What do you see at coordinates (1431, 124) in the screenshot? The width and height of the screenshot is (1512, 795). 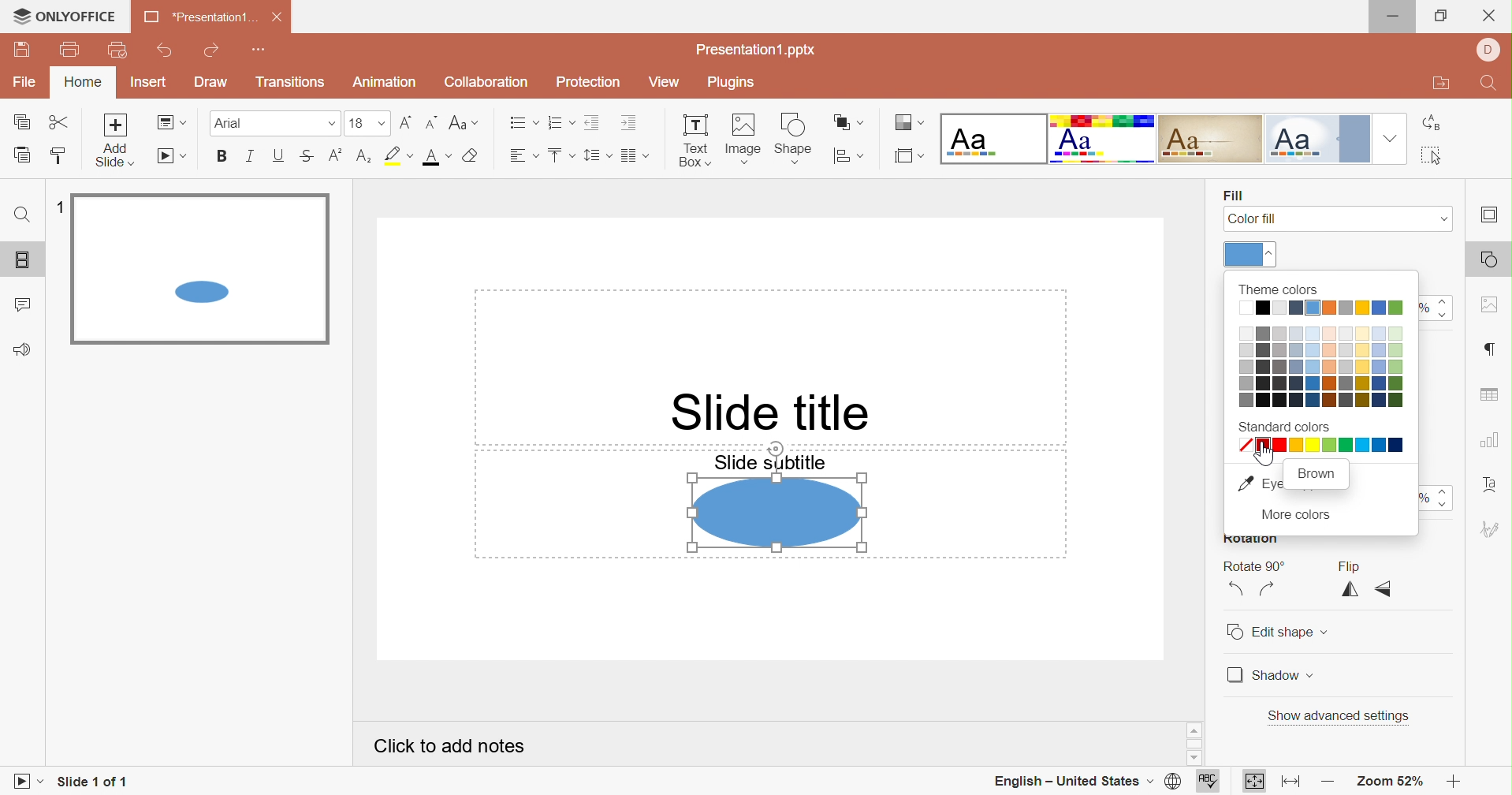 I see `Replace` at bounding box center [1431, 124].